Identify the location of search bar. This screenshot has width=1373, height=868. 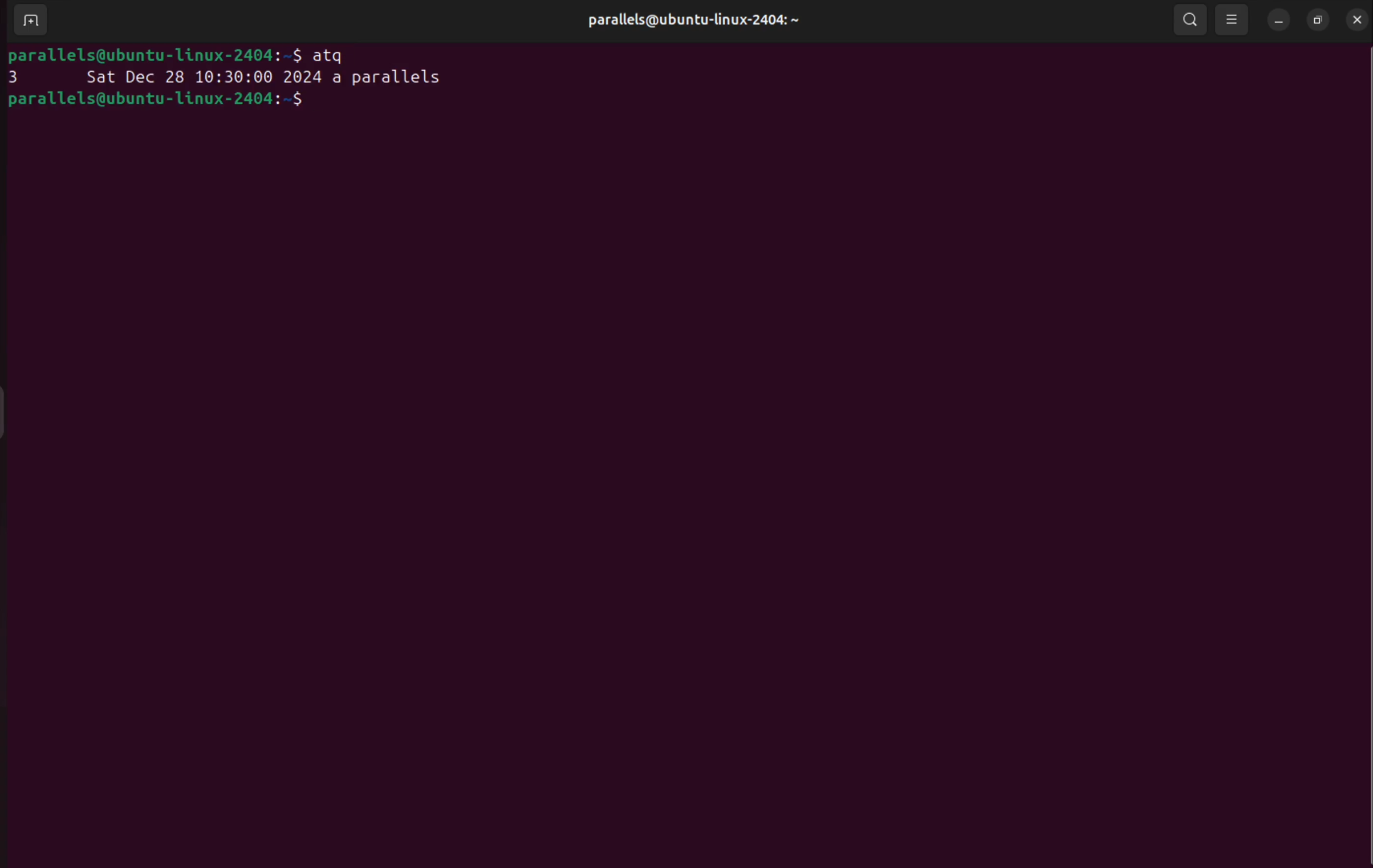
(1189, 19).